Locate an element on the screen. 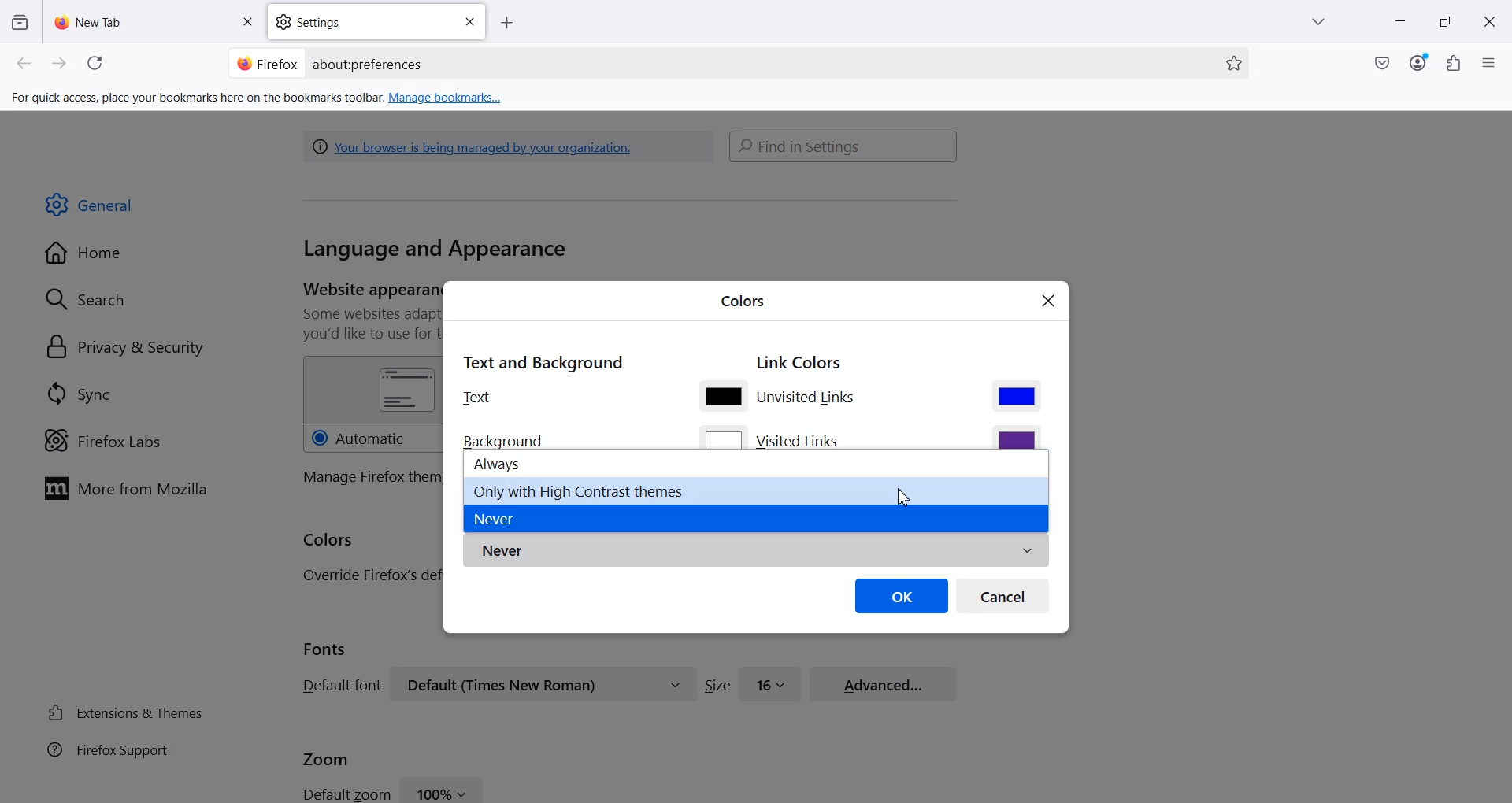 This screenshot has width=1512, height=803. 100% is located at coordinates (443, 789).